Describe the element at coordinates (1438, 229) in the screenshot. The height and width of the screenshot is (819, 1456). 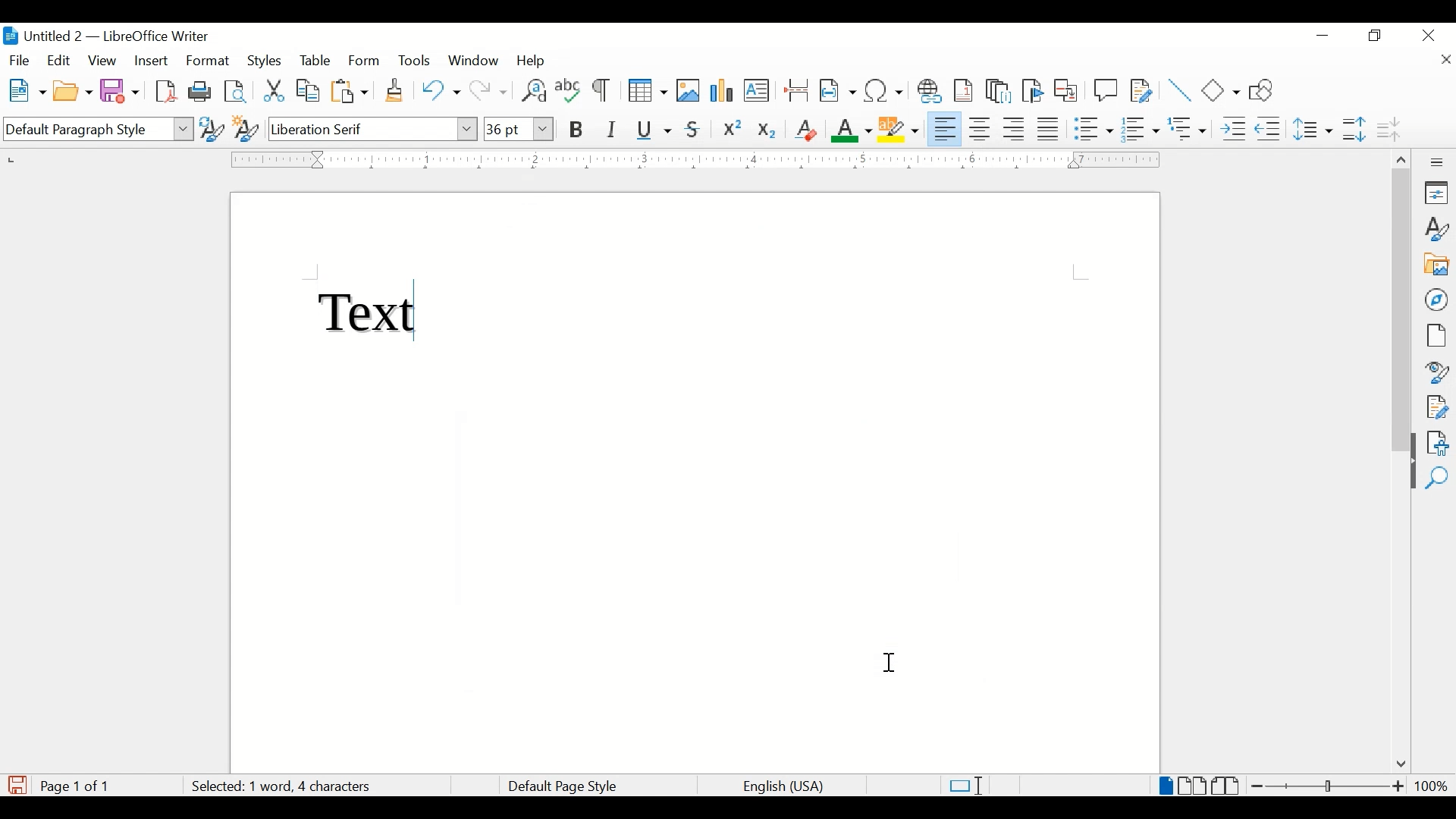
I see `styles` at that location.